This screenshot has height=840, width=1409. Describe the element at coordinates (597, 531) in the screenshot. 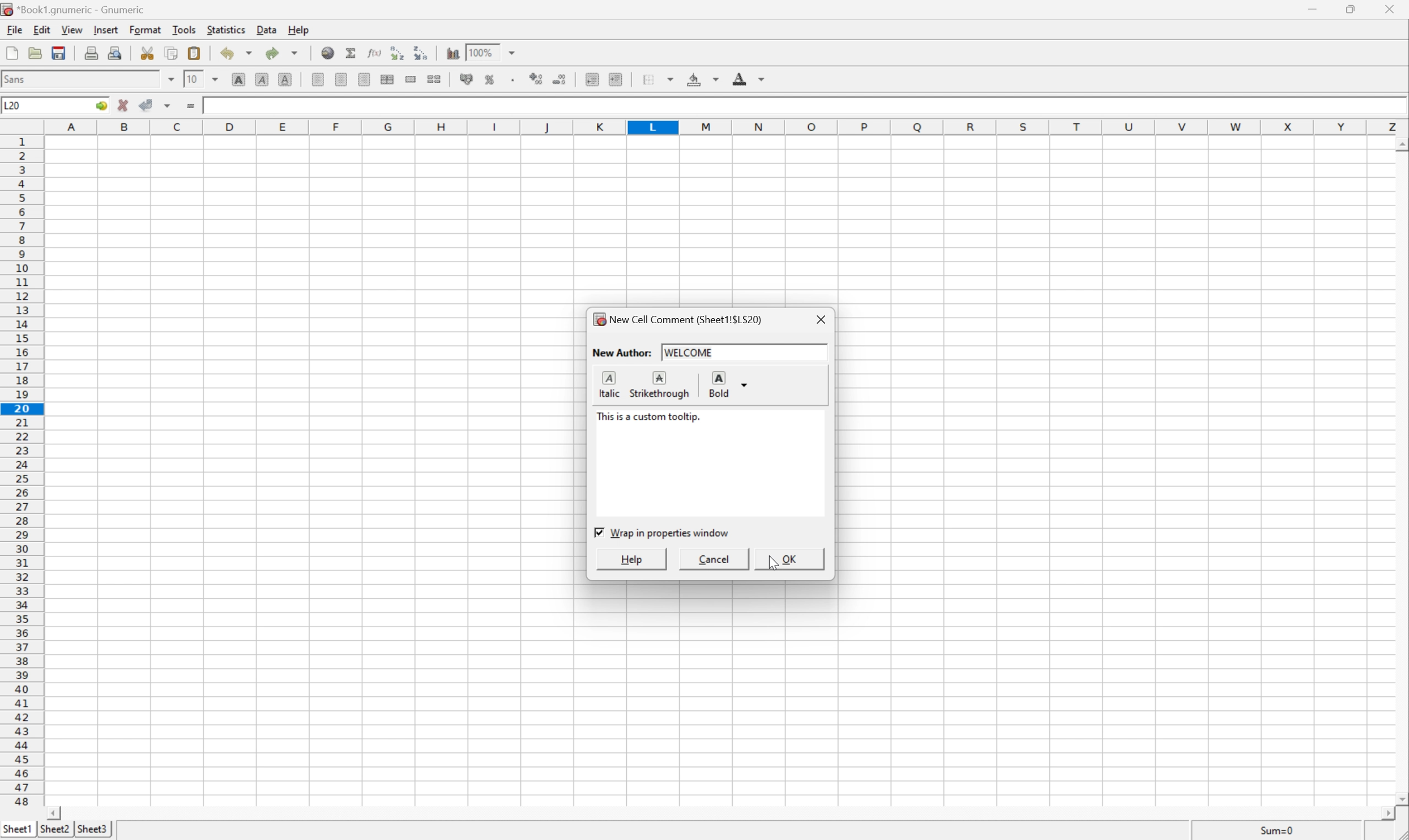

I see `Checkbox` at that location.